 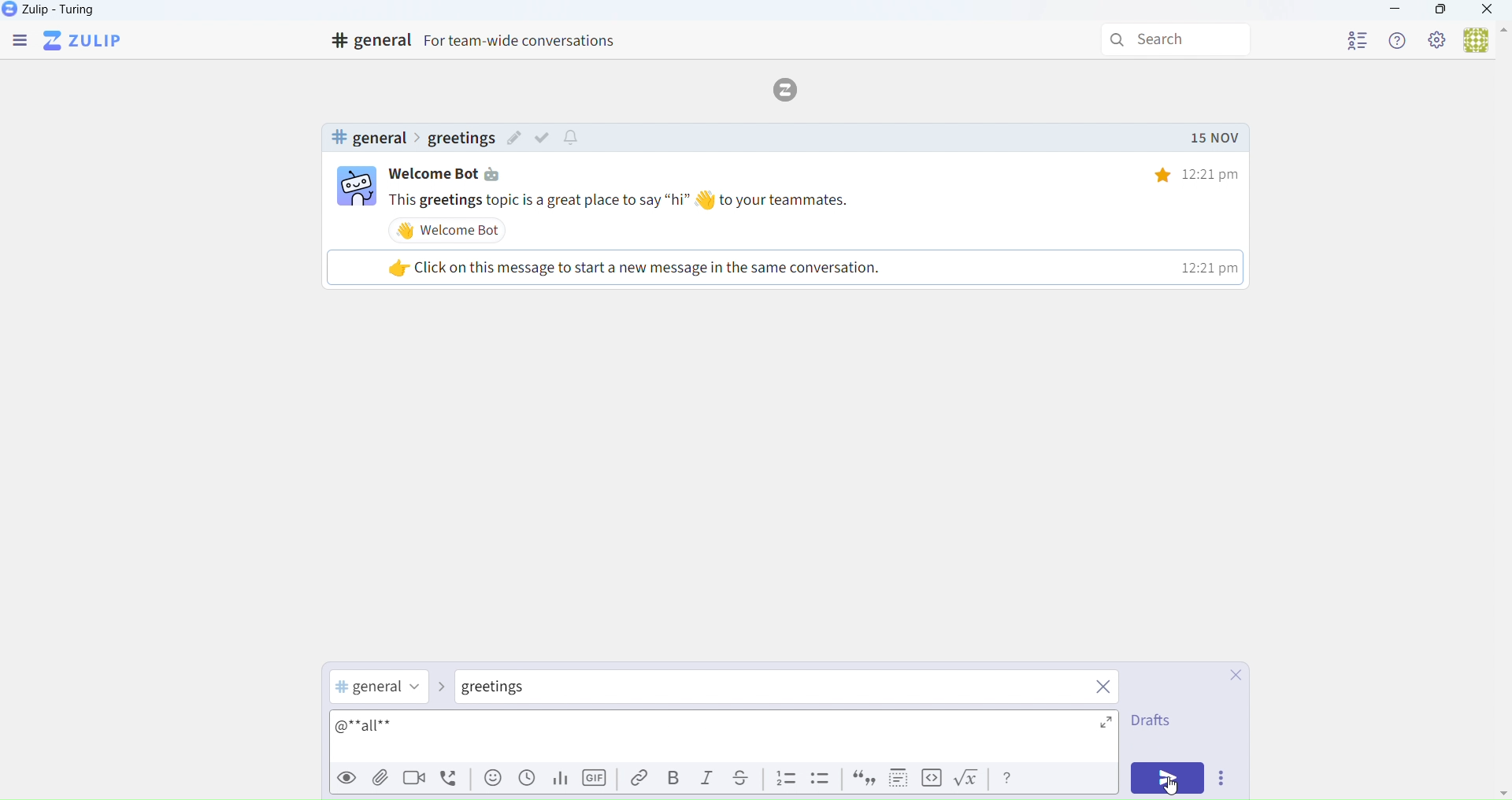 What do you see at coordinates (1399, 40) in the screenshot?
I see `Help` at bounding box center [1399, 40].